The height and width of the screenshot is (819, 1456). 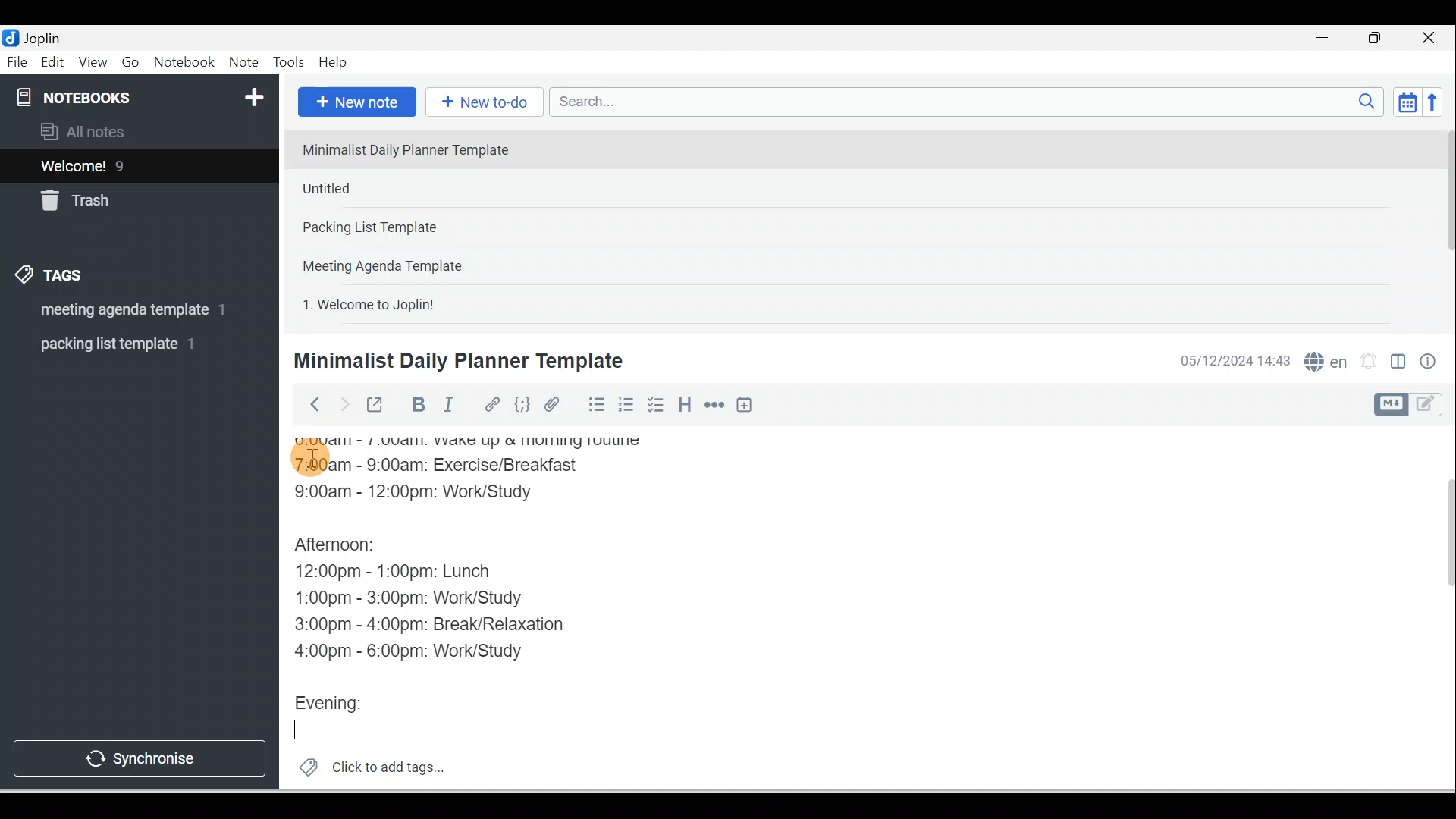 I want to click on 12:00pm - 1:00pm: Lunch, so click(x=413, y=573).